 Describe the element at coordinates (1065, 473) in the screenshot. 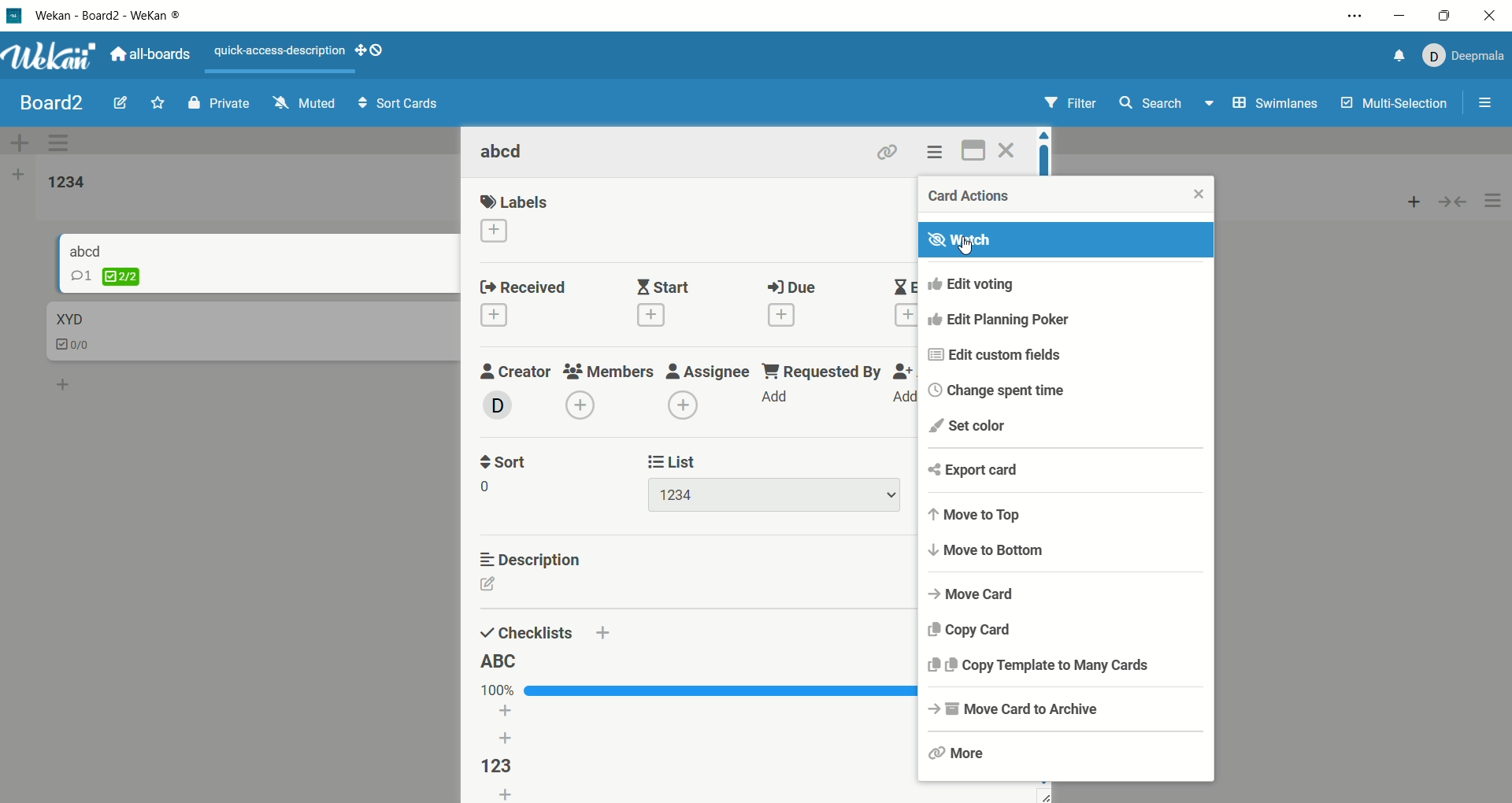

I see `export card` at that location.